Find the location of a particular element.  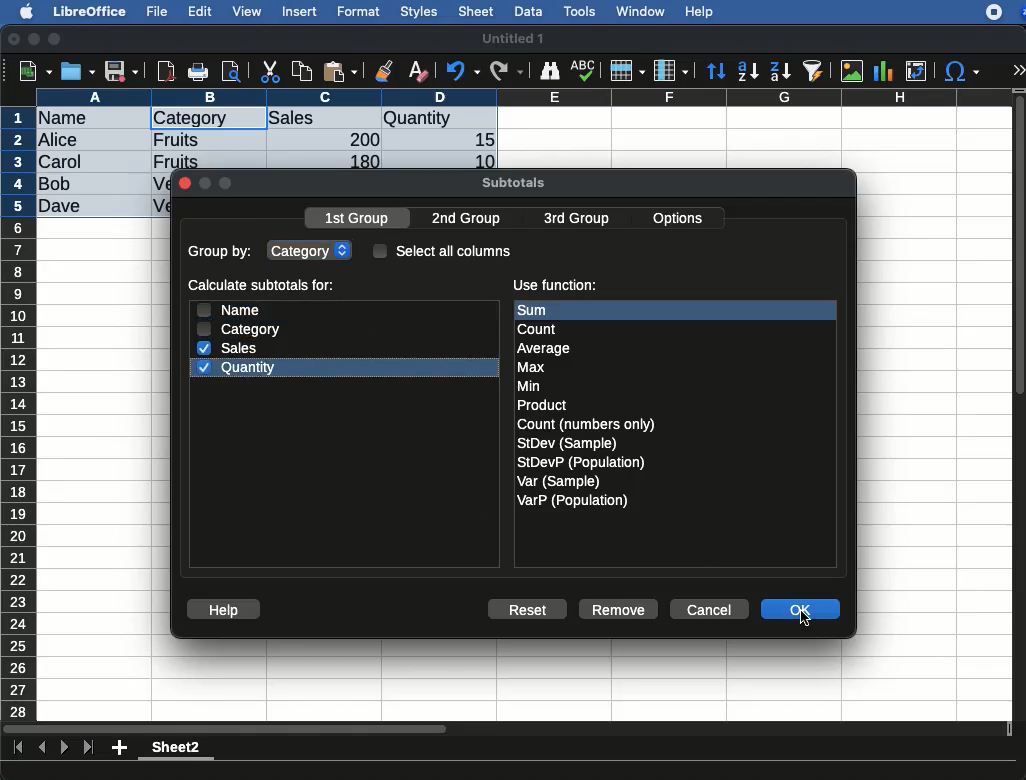

reset is located at coordinates (532, 611).